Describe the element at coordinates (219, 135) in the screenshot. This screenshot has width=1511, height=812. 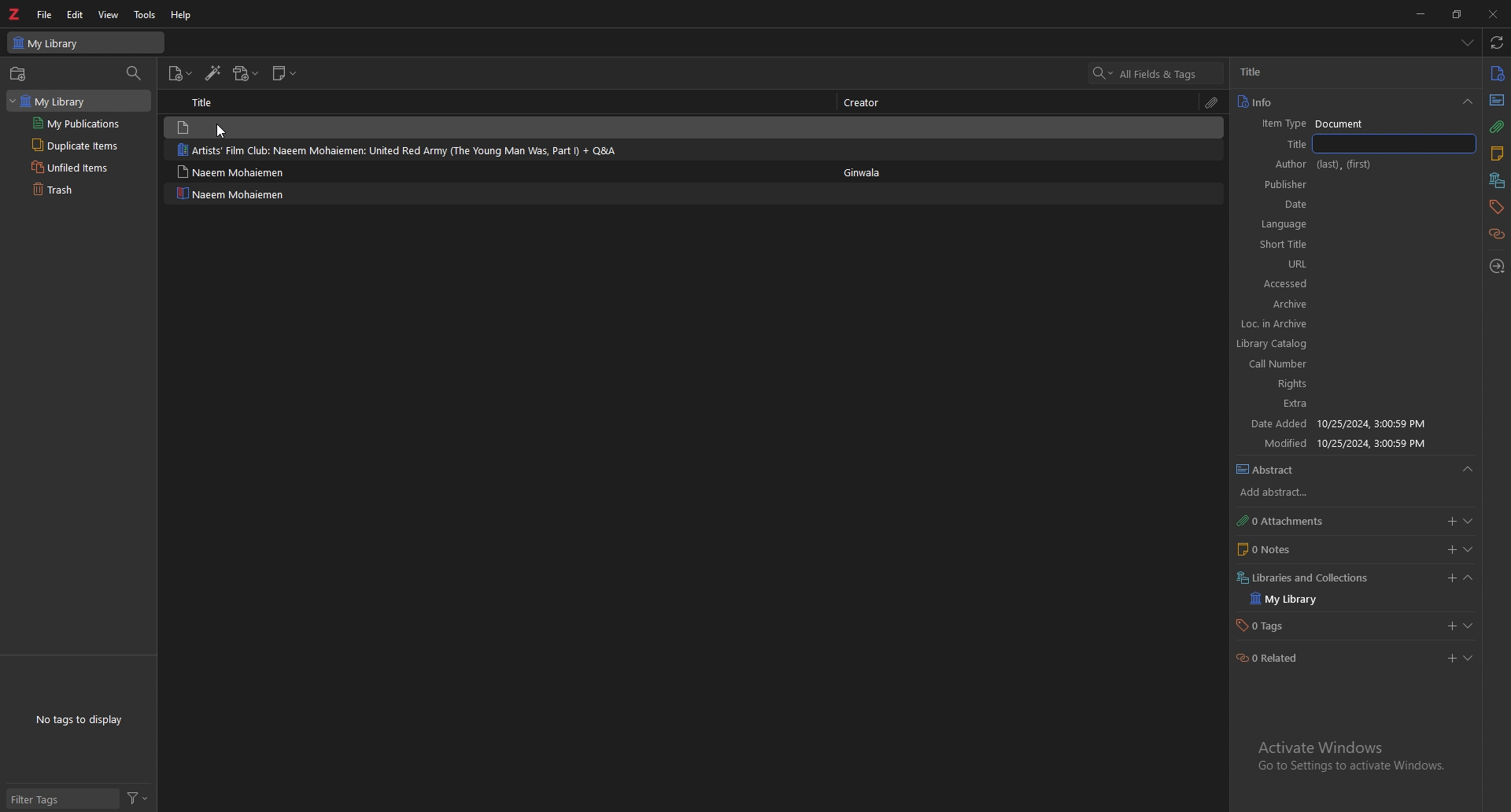
I see `Cursor` at that location.